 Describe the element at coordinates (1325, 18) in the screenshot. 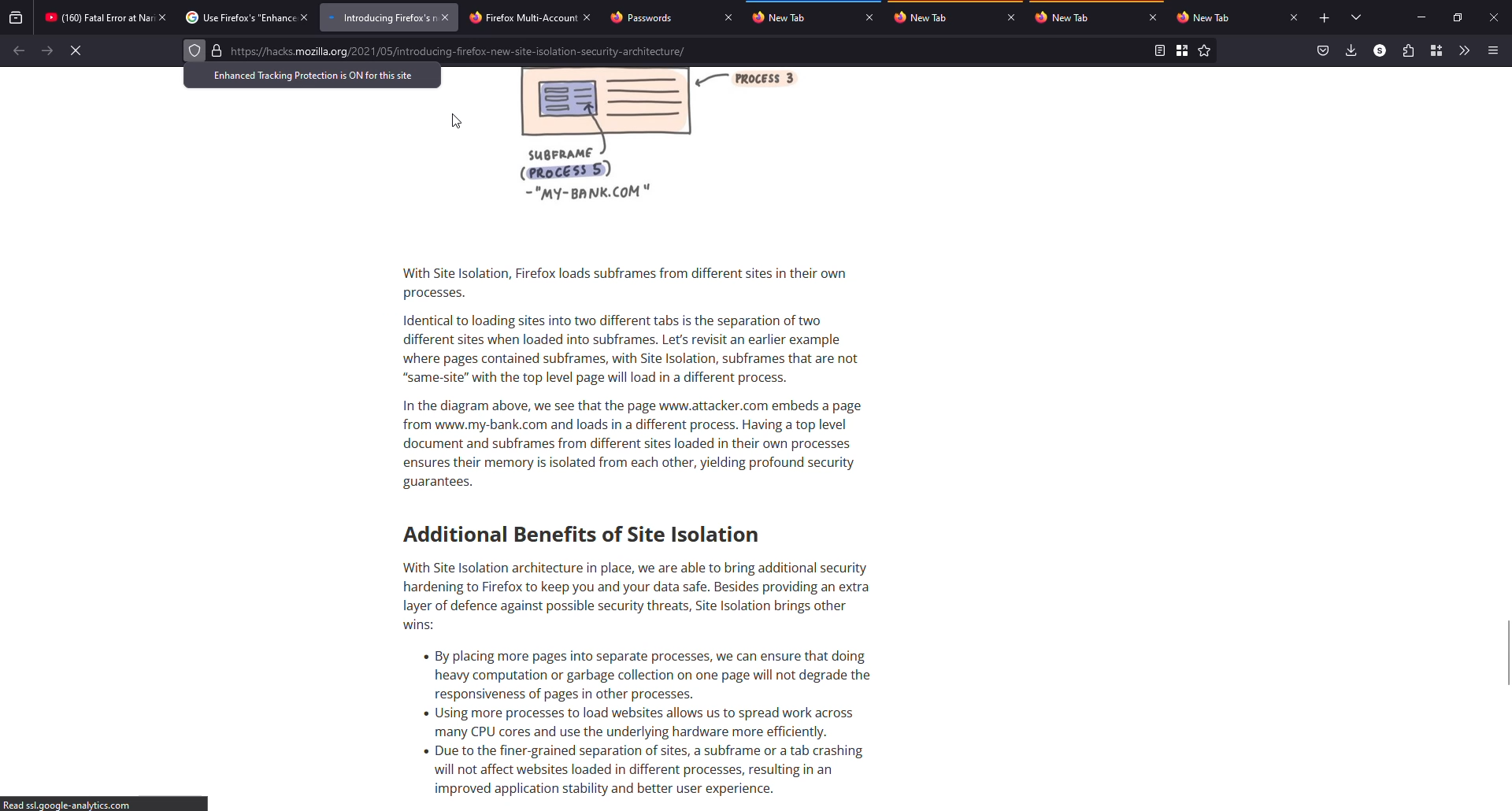

I see `add` at that location.